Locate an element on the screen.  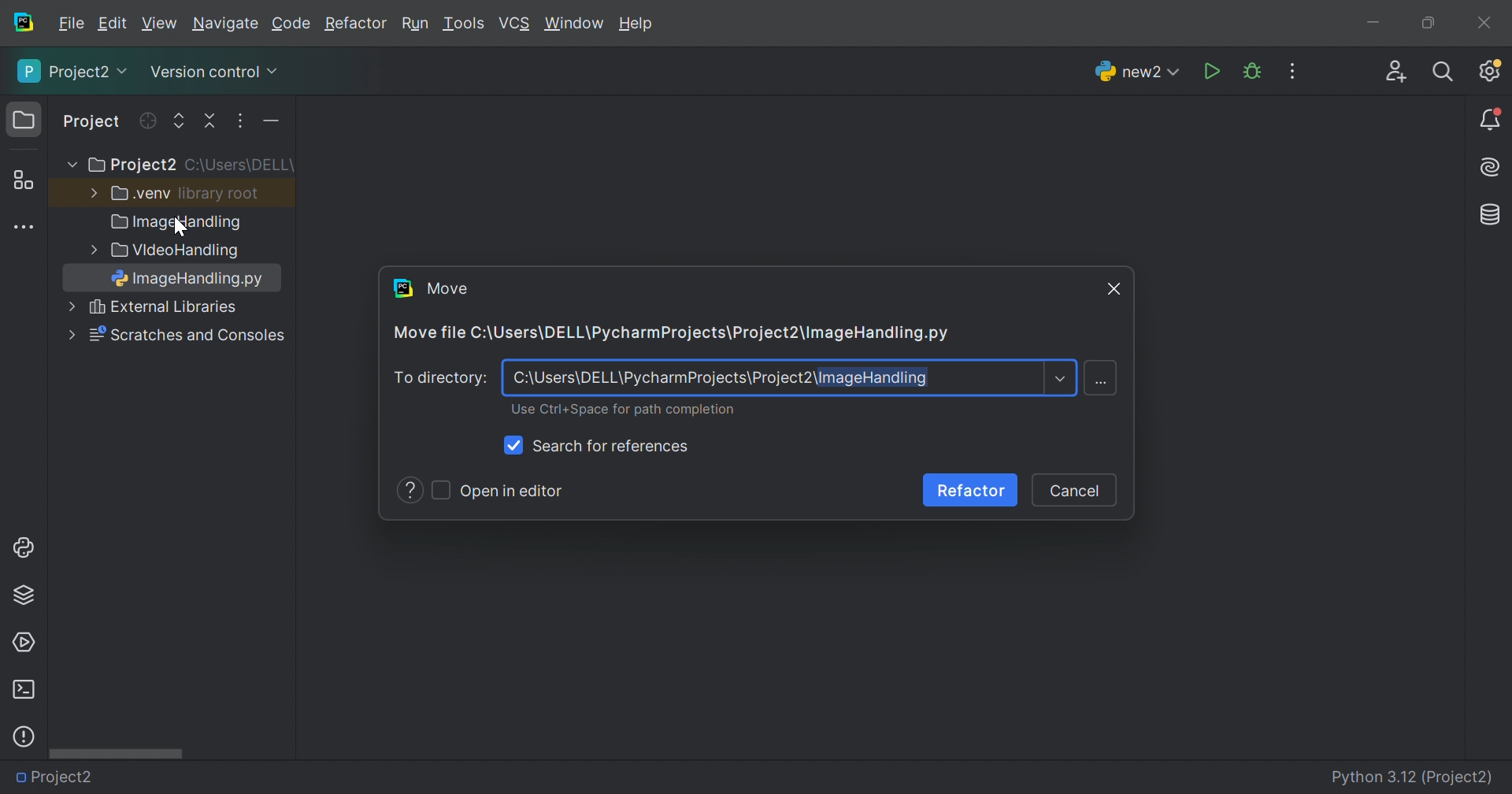
PyCharm icon is located at coordinates (22, 23).